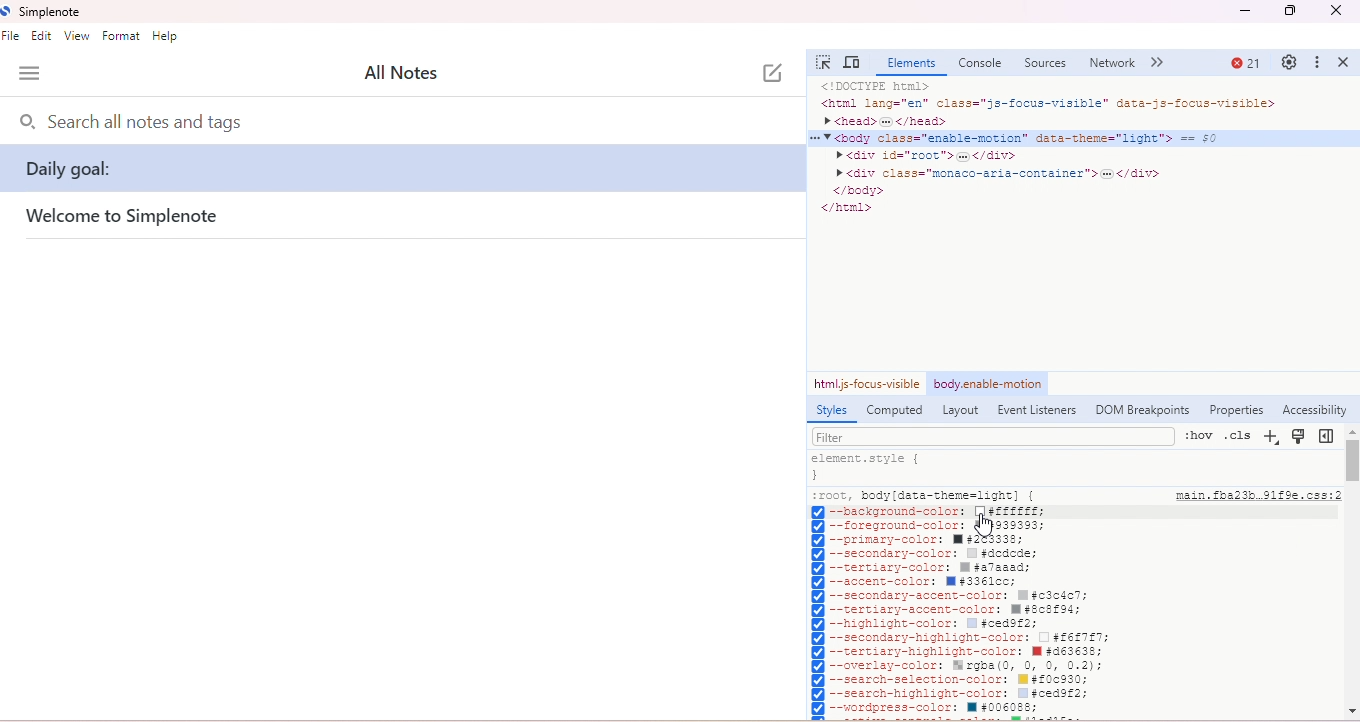 This screenshot has width=1360, height=722. Describe the element at coordinates (1318, 63) in the screenshot. I see `customize and control dev tools` at that location.